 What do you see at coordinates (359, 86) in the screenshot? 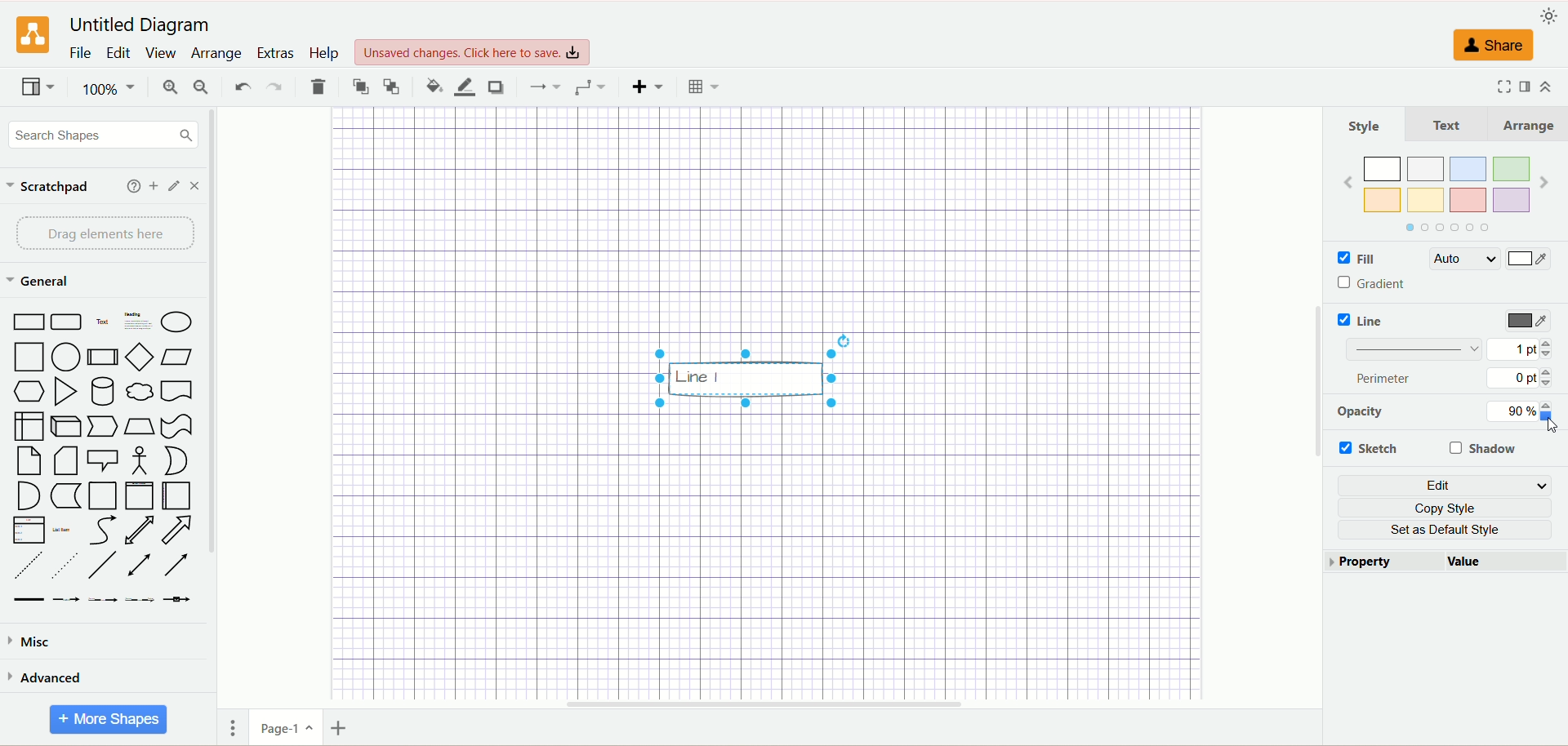
I see `to front` at bounding box center [359, 86].